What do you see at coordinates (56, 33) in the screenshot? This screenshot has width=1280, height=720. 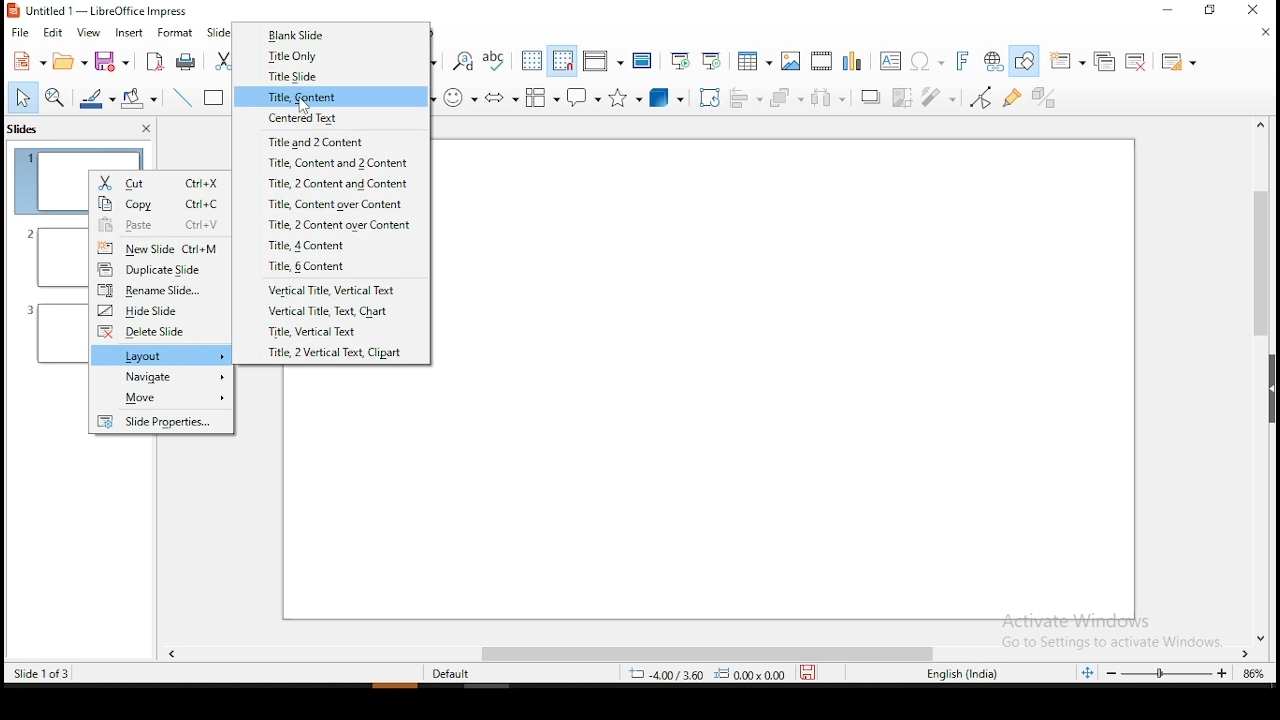 I see `edit` at bounding box center [56, 33].